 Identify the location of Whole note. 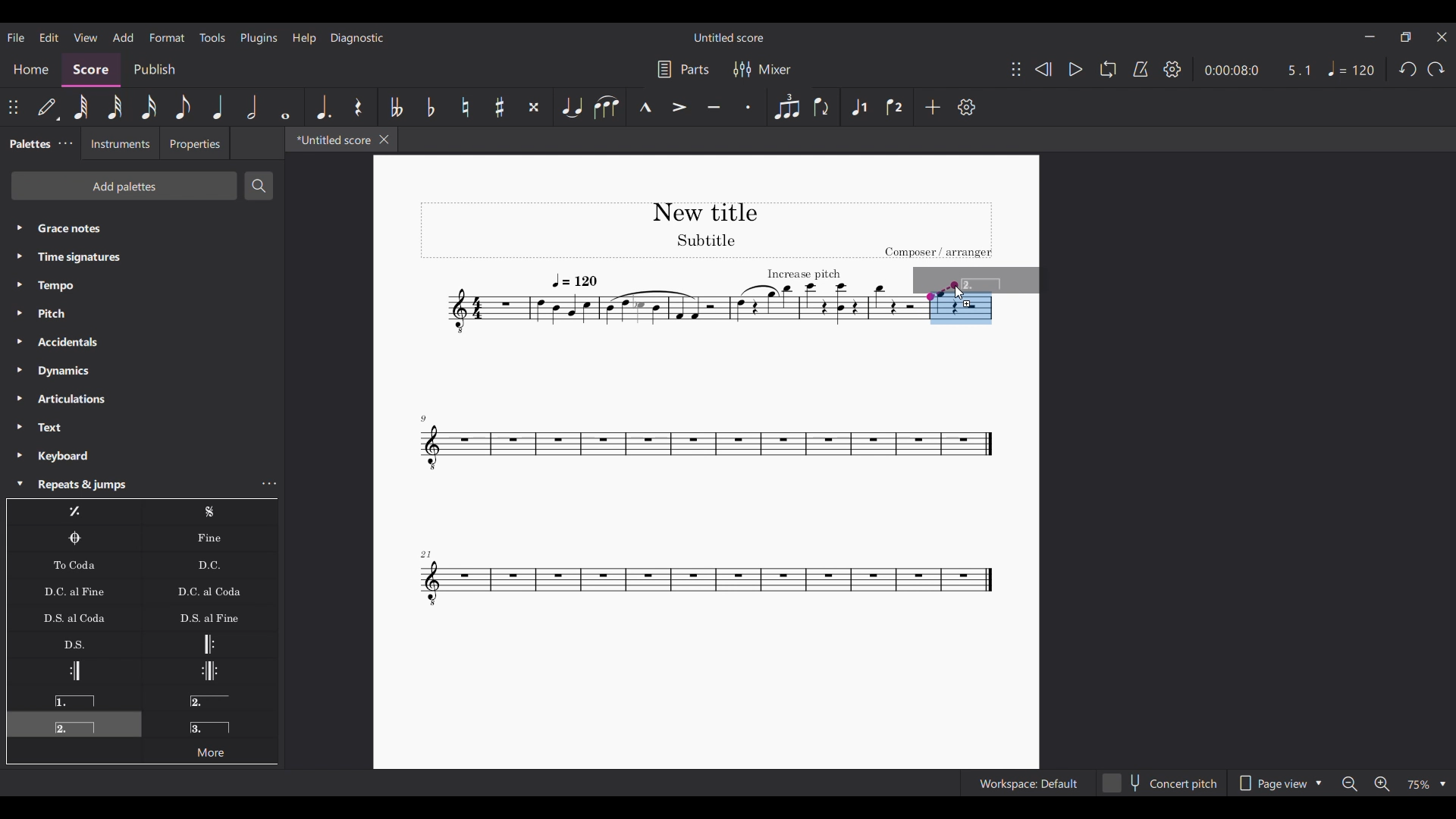
(285, 107).